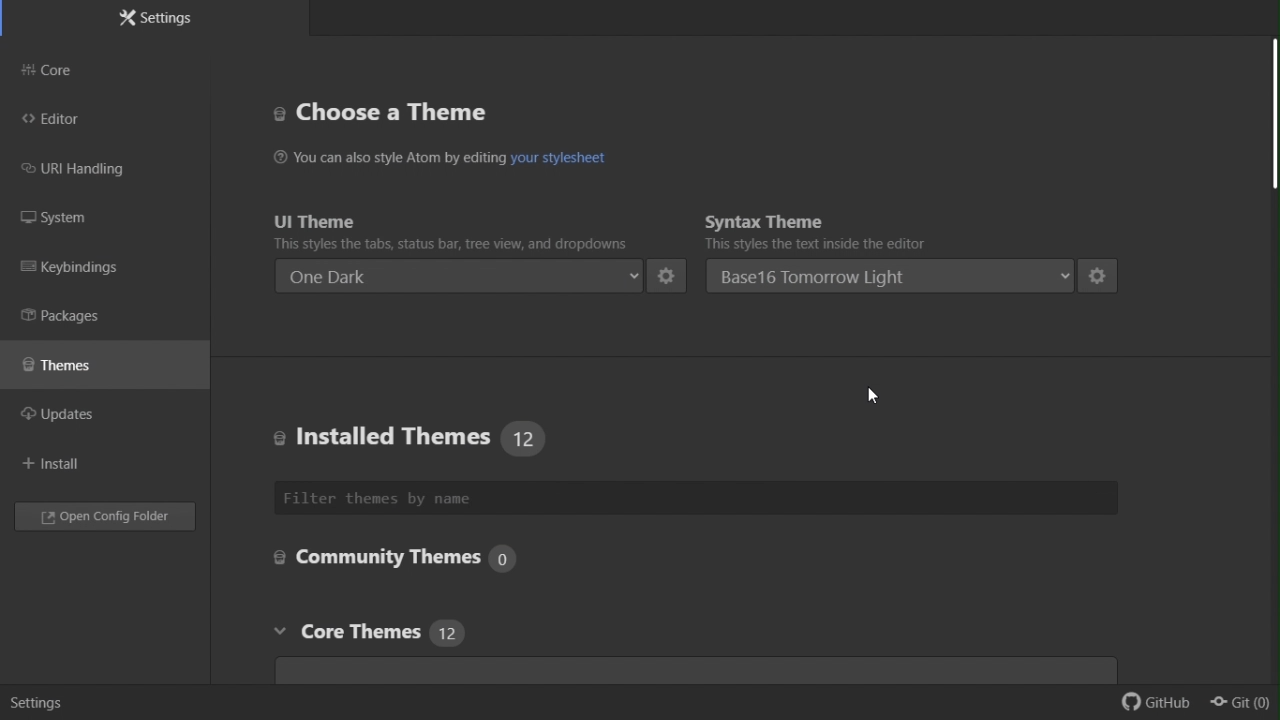  I want to click on hyperlink, so click(556, 159).